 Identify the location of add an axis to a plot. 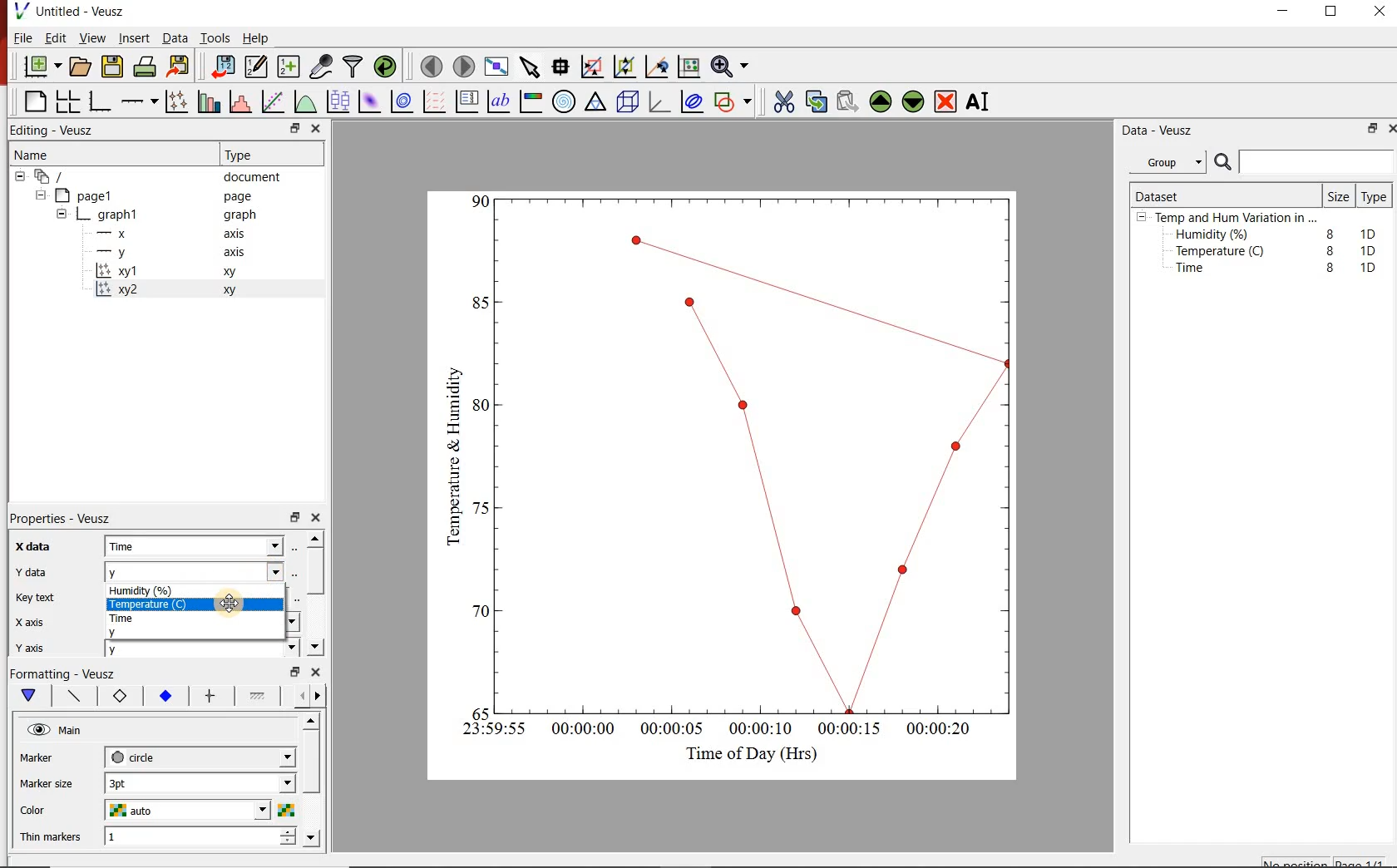
(141, 100).